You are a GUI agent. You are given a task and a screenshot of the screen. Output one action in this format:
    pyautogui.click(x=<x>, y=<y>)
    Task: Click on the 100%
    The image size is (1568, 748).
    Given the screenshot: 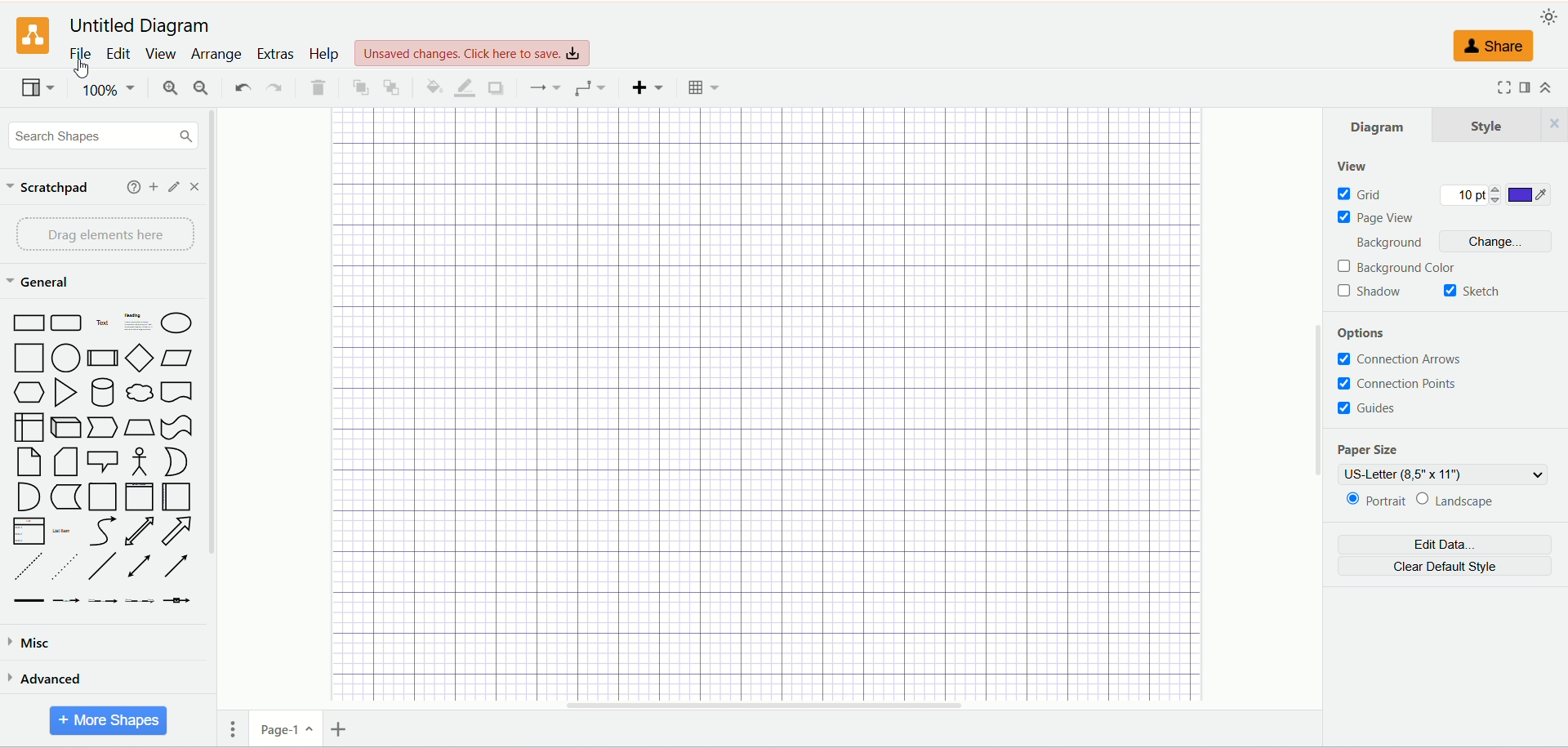 What is the action you would take?
    pyautogui.click(x=107, y=89)
    